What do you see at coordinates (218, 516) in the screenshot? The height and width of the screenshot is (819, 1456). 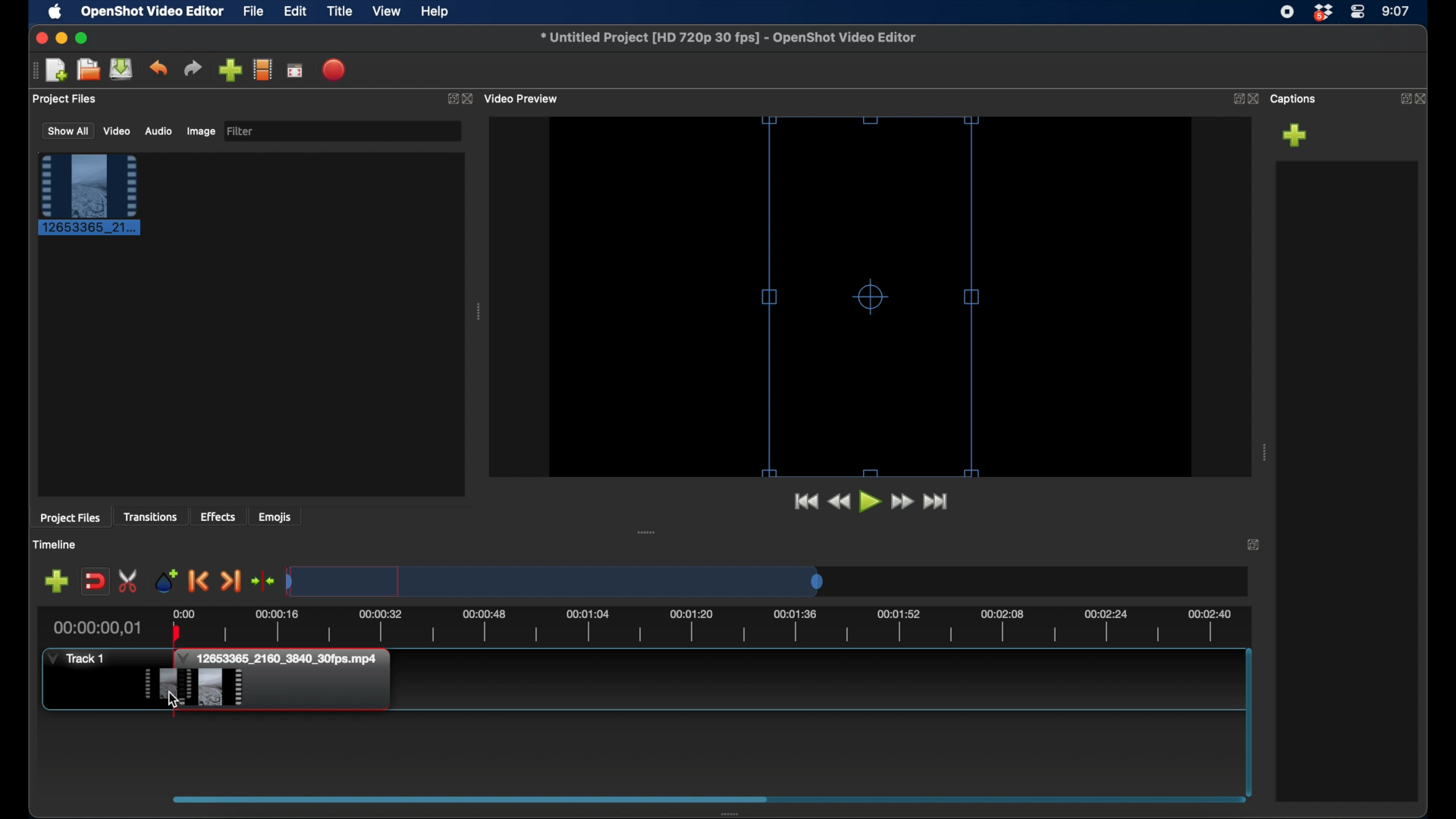 I see `effects` at bounding box center [218, 516].